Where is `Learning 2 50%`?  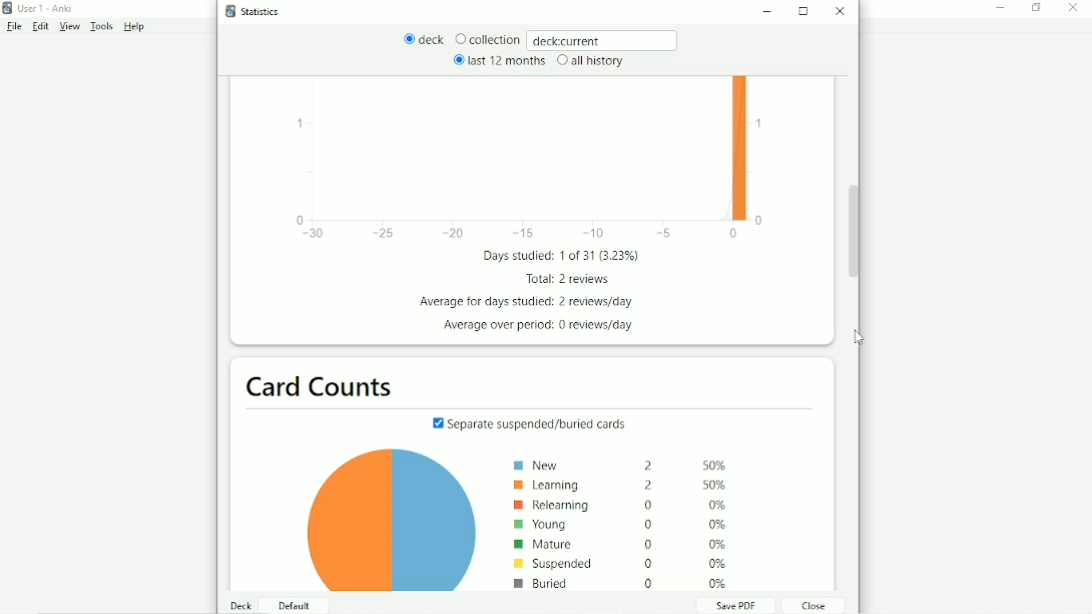 Learning 2 50% is located at coordinates (628, 485).